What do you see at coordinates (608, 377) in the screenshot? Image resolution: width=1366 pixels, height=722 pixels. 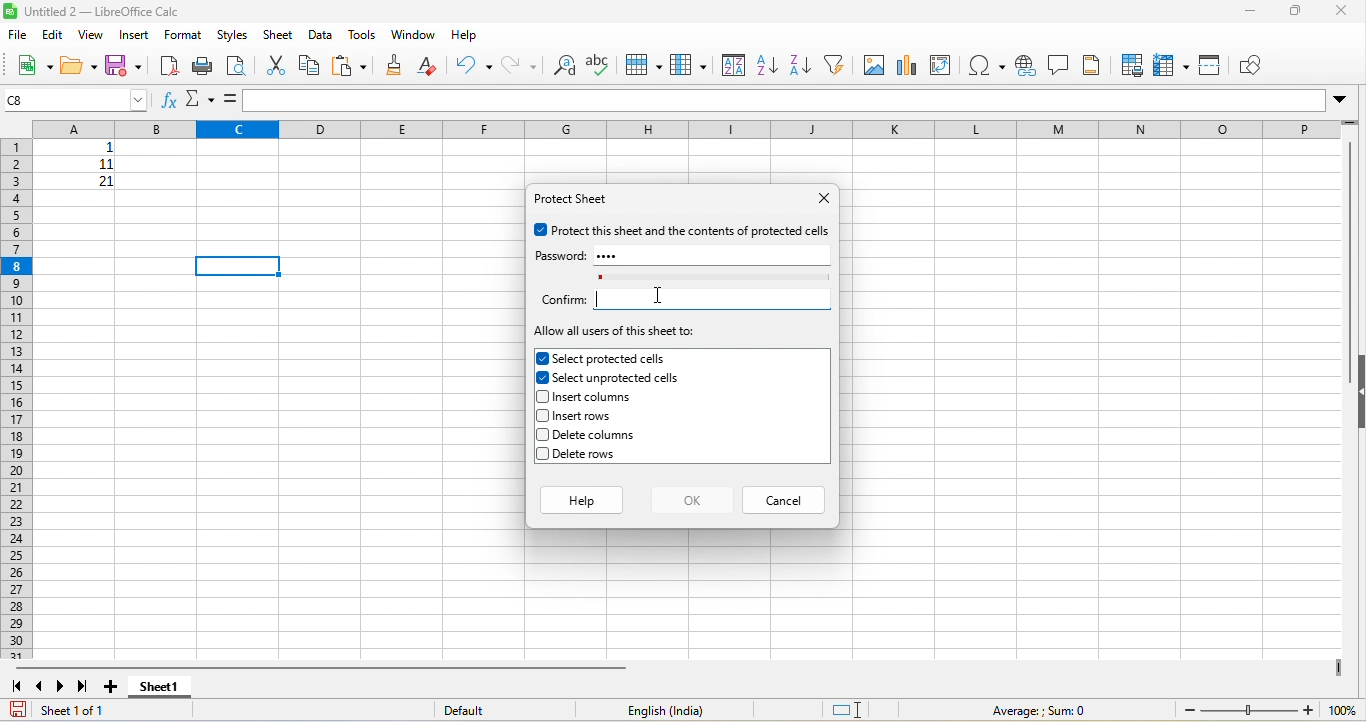 I see `selected unprotected cells` at bounding box center [608, 377].